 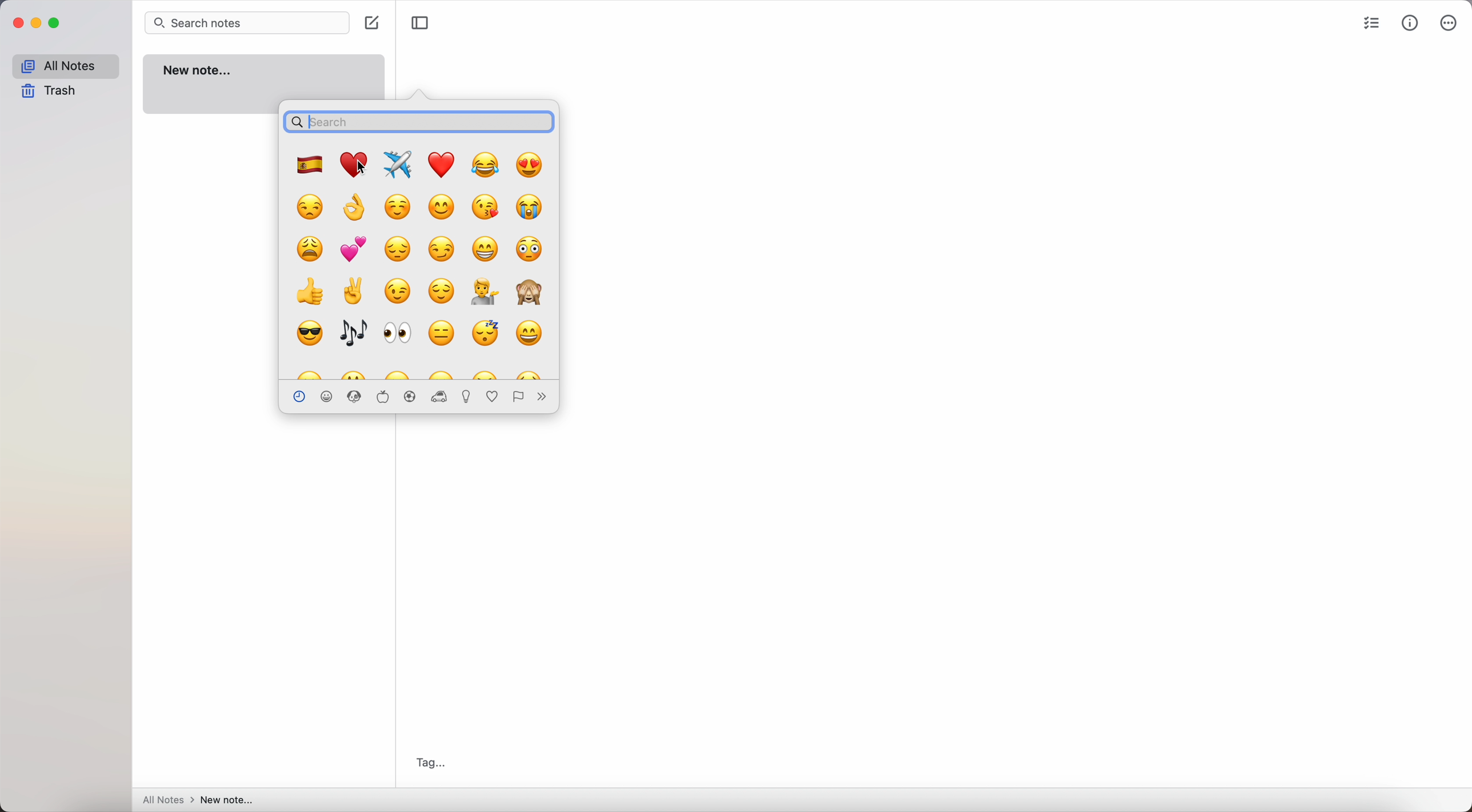 I want to click on metrics, so click(x=1411, y=22).